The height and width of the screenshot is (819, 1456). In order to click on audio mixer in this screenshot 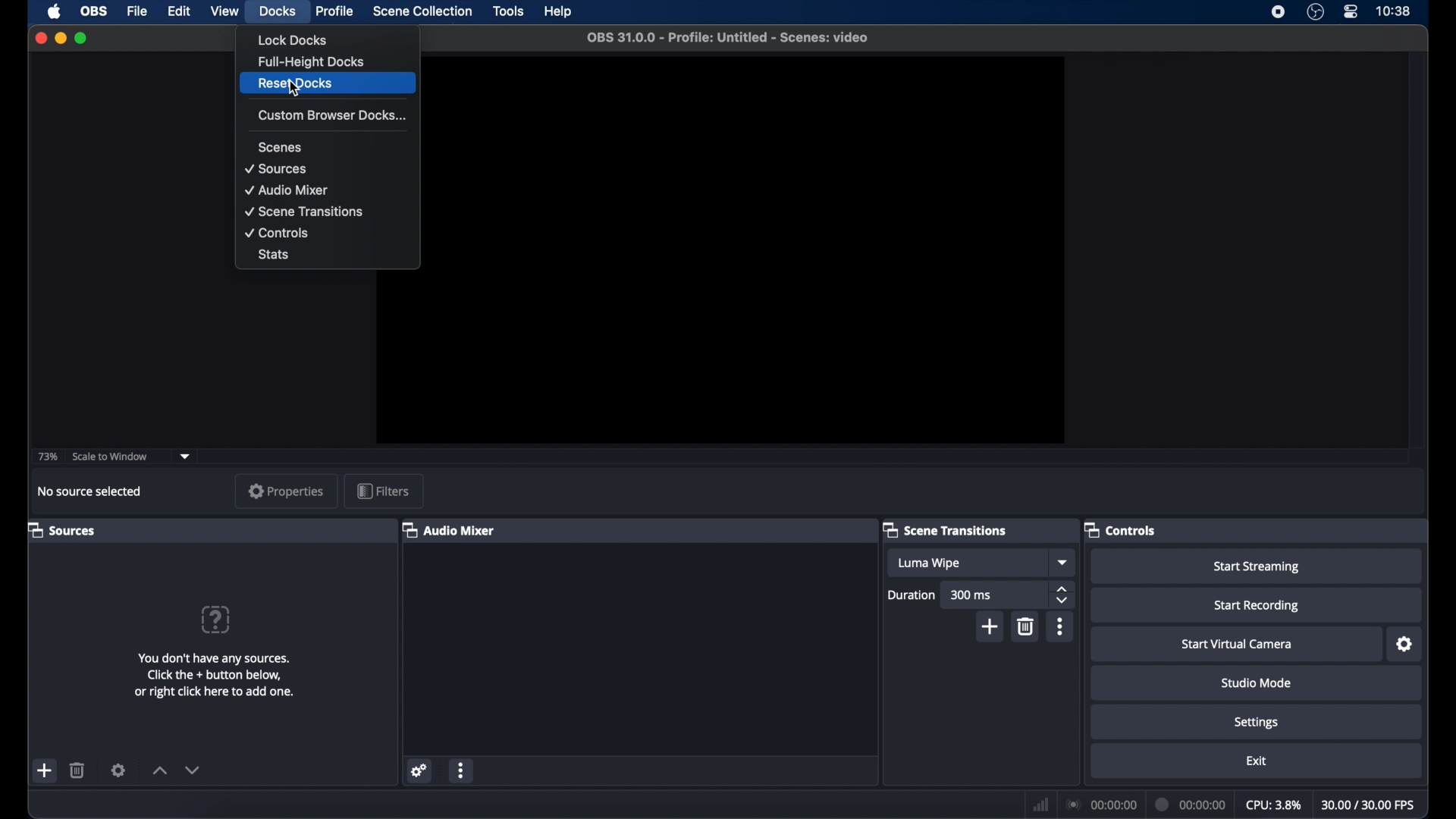, I will do `click(288, 190)`.